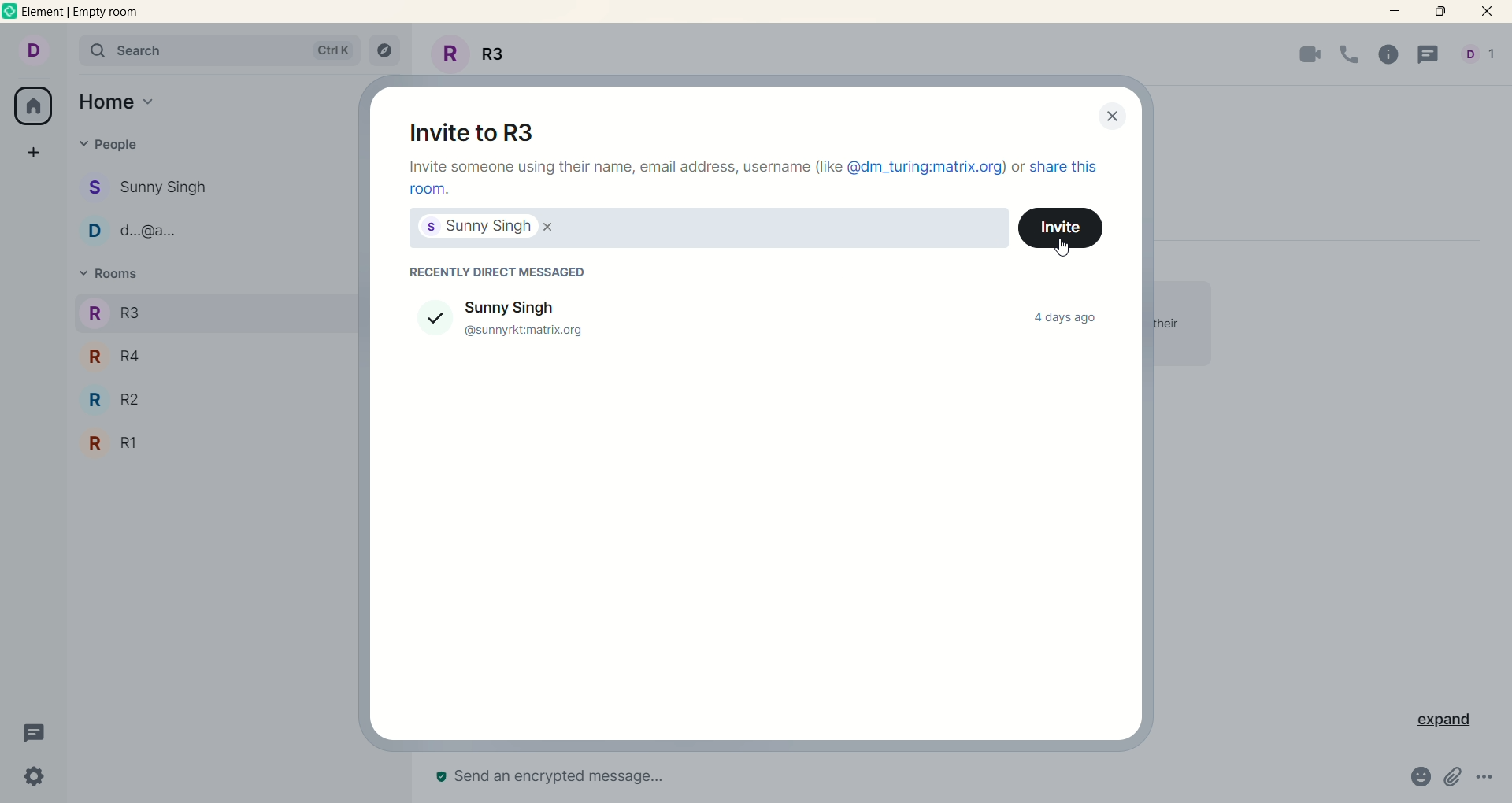 This screenshot has width=1512, height=803. I want to click on home, so click(120, 102).